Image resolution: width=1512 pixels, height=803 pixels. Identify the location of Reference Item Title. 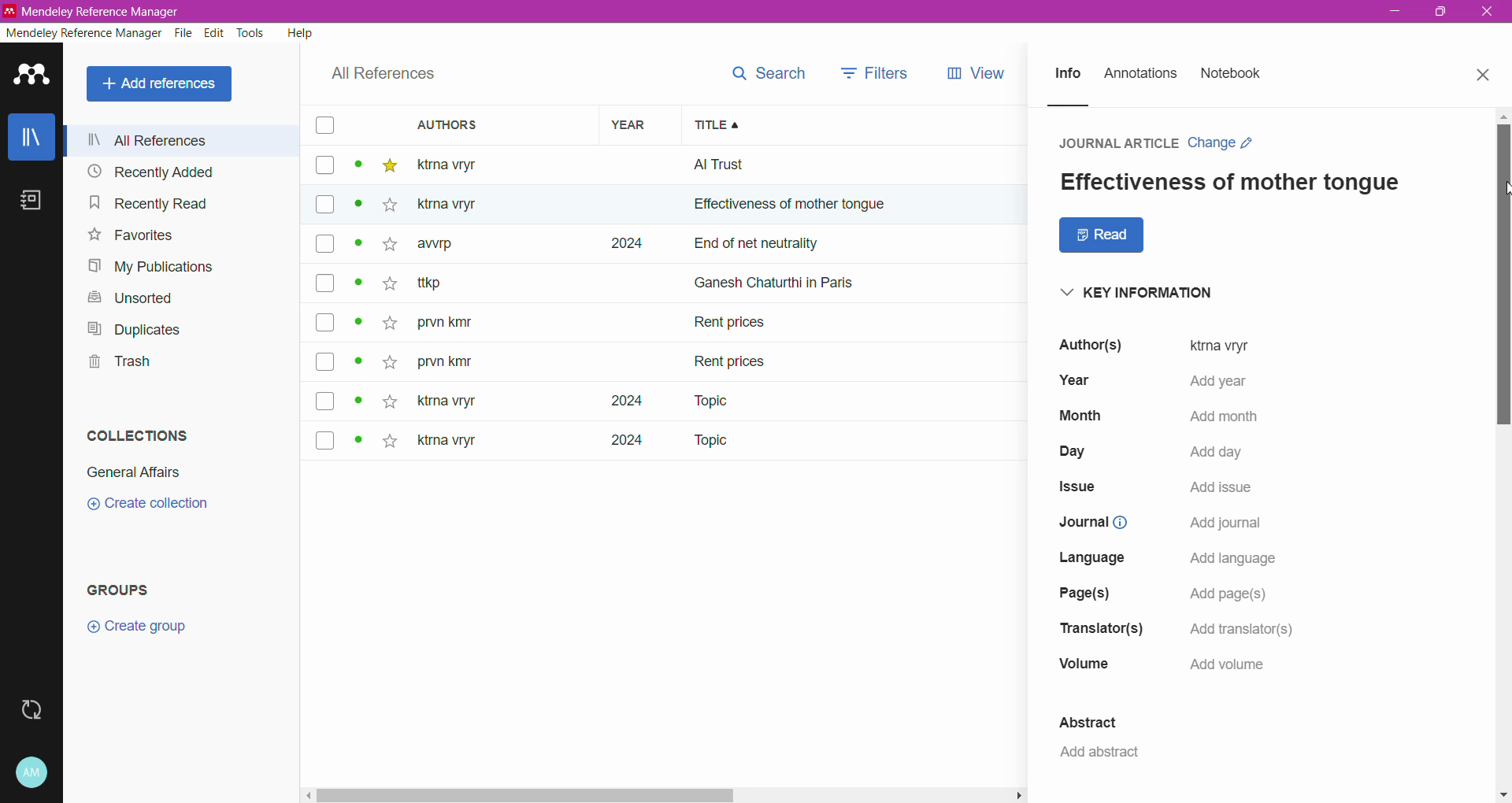
(1232, 183).